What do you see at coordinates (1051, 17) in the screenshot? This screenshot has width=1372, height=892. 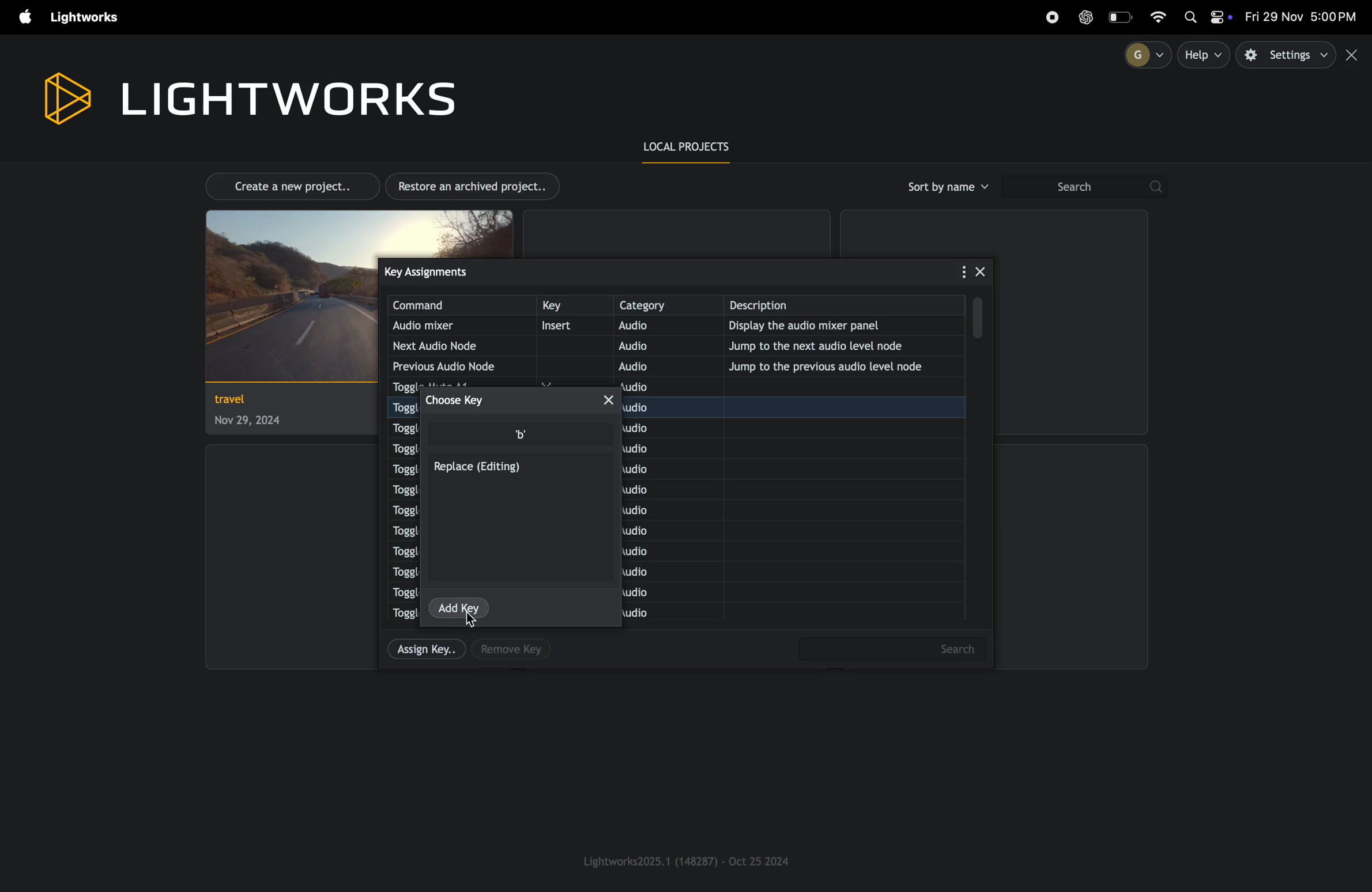 I see `record` at bounding box center [1051, 17].